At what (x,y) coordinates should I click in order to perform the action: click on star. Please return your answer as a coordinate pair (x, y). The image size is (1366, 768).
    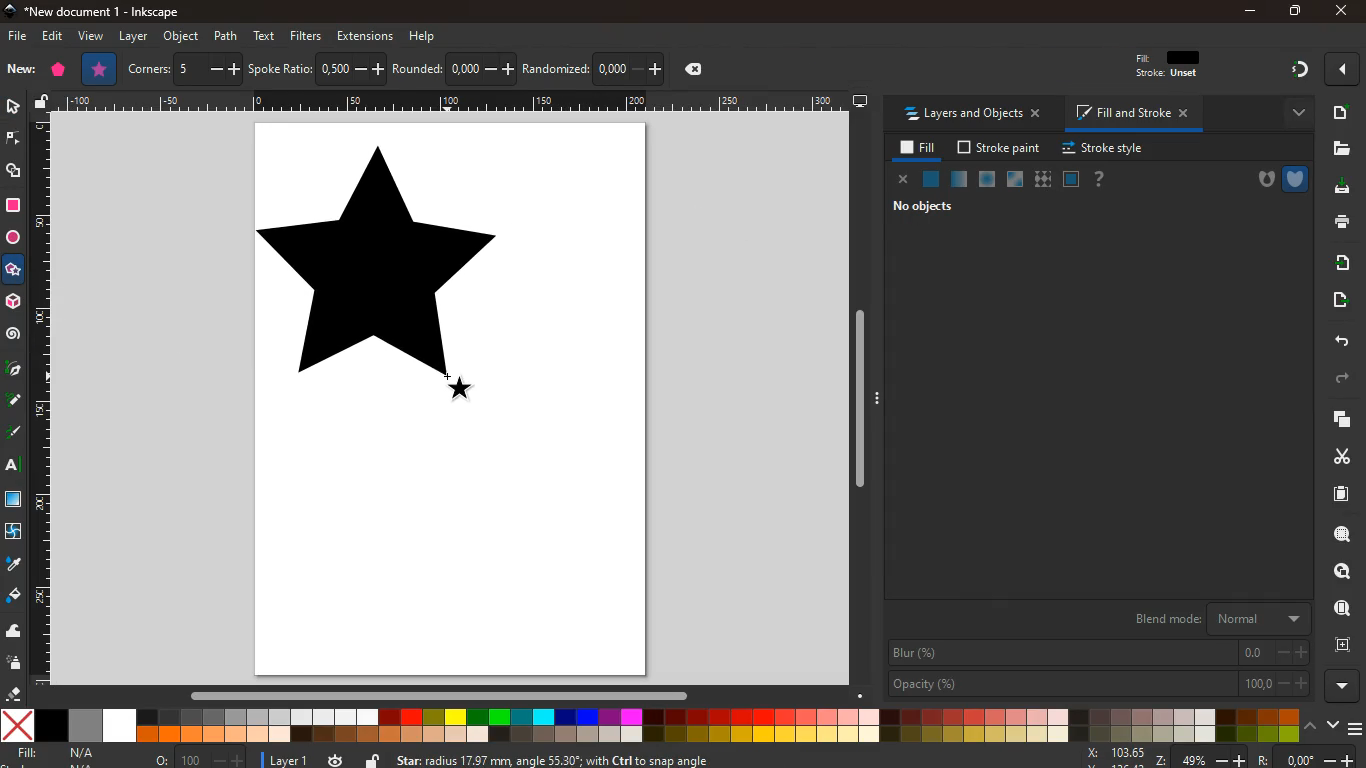
    Looking at the image, I should click on (12, 270).